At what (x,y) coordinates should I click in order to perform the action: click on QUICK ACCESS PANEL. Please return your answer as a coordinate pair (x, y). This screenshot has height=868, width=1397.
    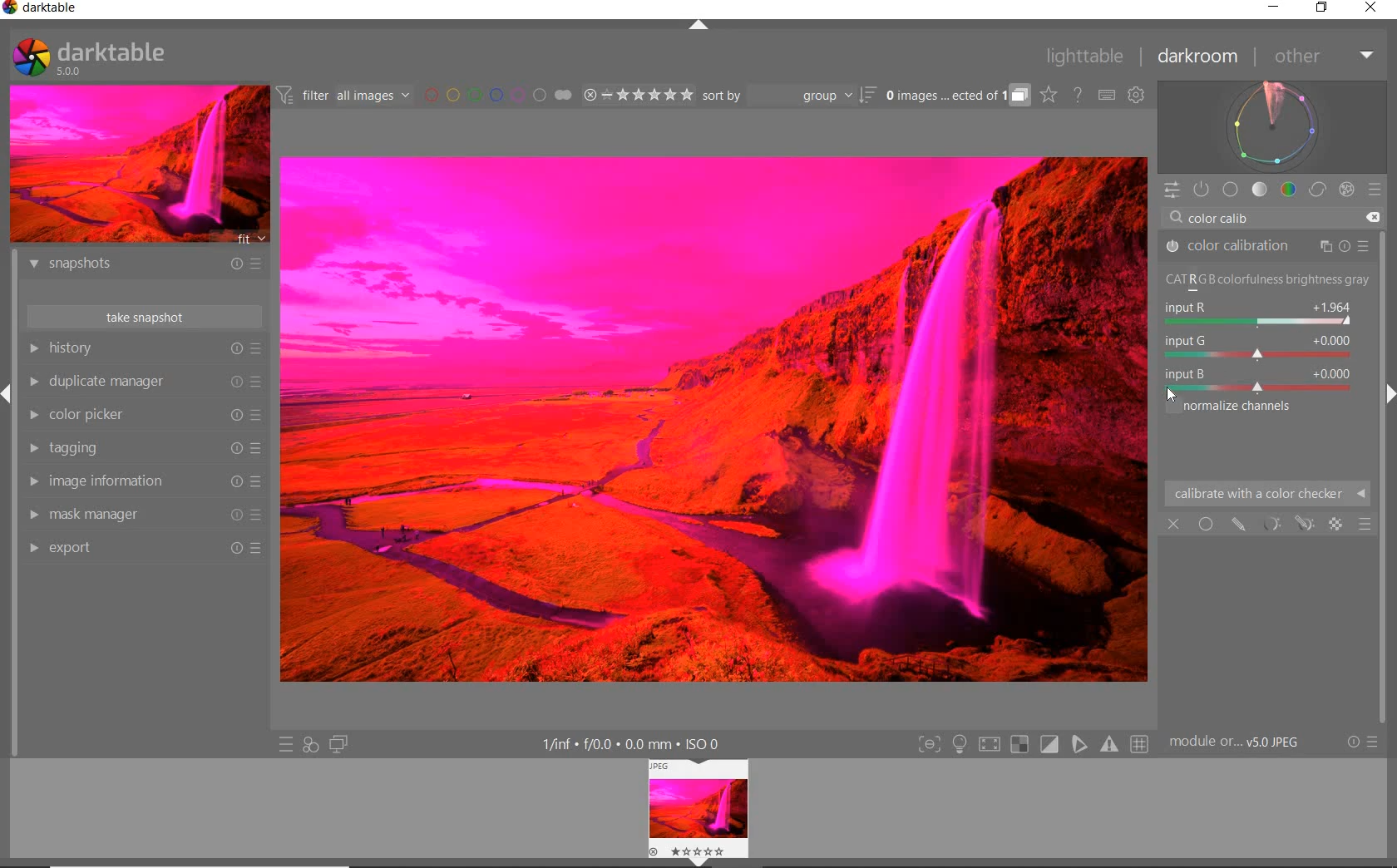
    Looking at the image, I should click on (1172, 190).